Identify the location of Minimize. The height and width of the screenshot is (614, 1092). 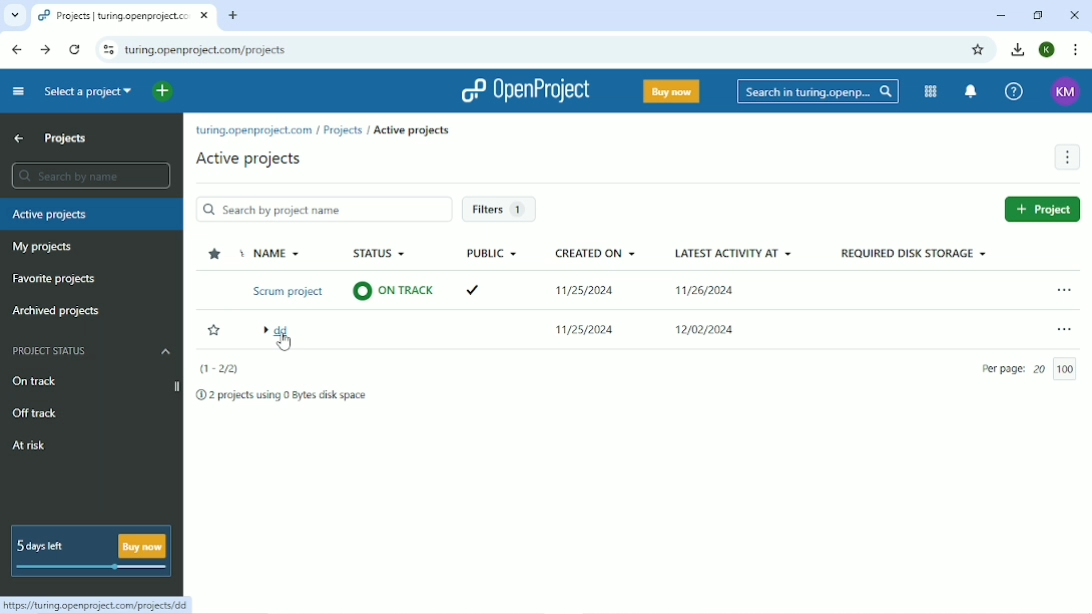
(1001, 16).